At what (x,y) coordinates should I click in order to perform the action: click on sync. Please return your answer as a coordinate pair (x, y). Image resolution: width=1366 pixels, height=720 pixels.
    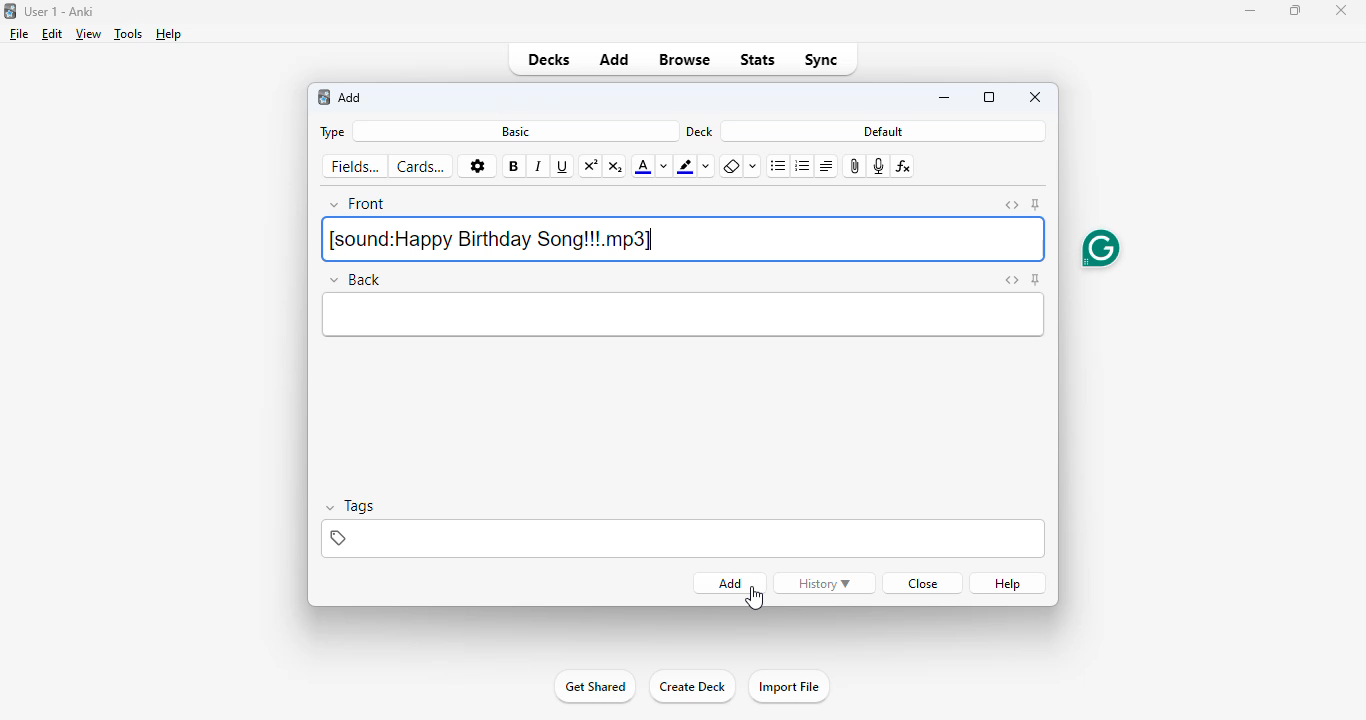
    Looking at the image, I should click on (820, 60).